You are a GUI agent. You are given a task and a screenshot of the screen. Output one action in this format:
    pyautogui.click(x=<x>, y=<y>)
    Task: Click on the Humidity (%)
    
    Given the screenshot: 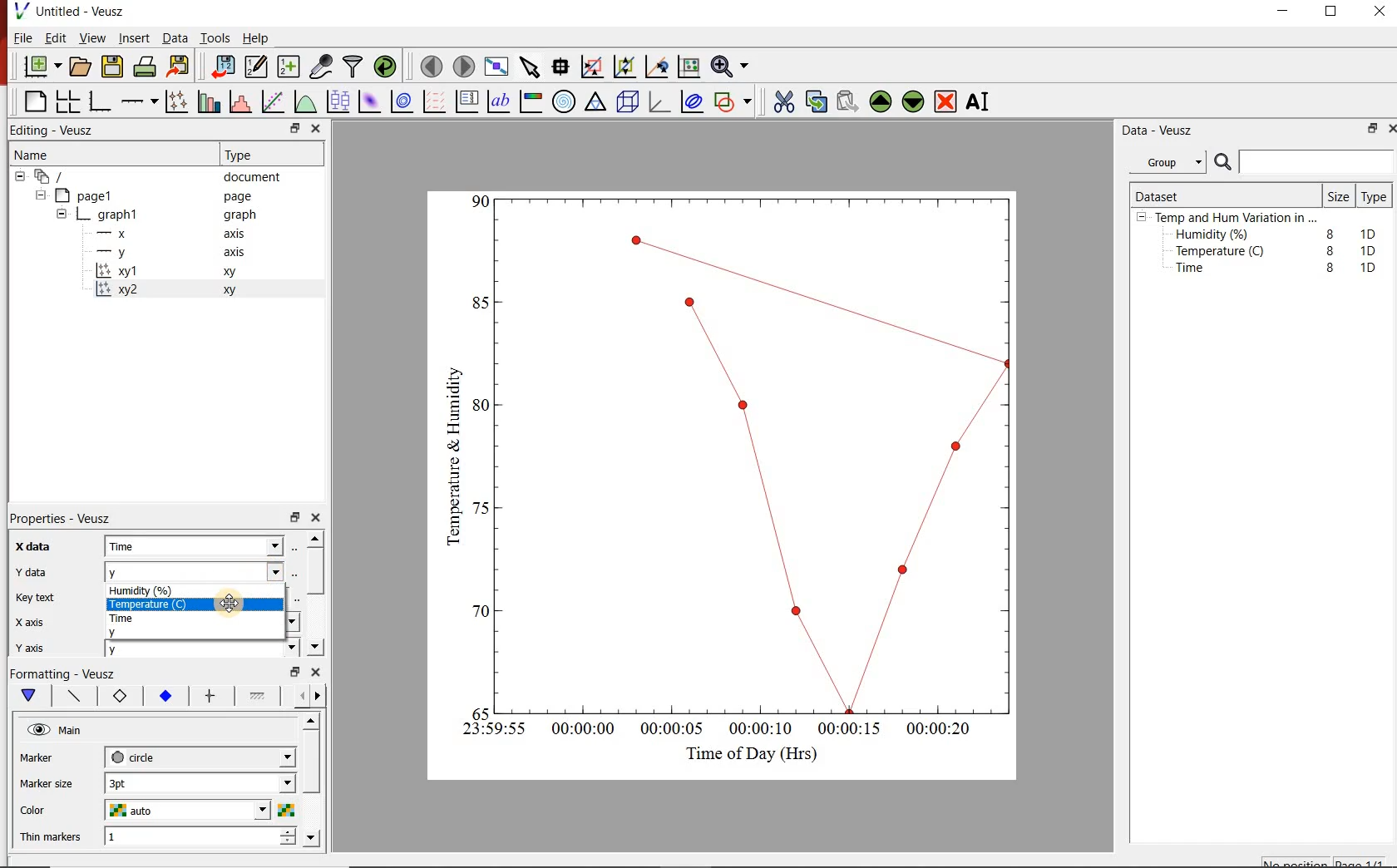 What is the action you would take?
    pyautogui.click(x=157, y=589)
    